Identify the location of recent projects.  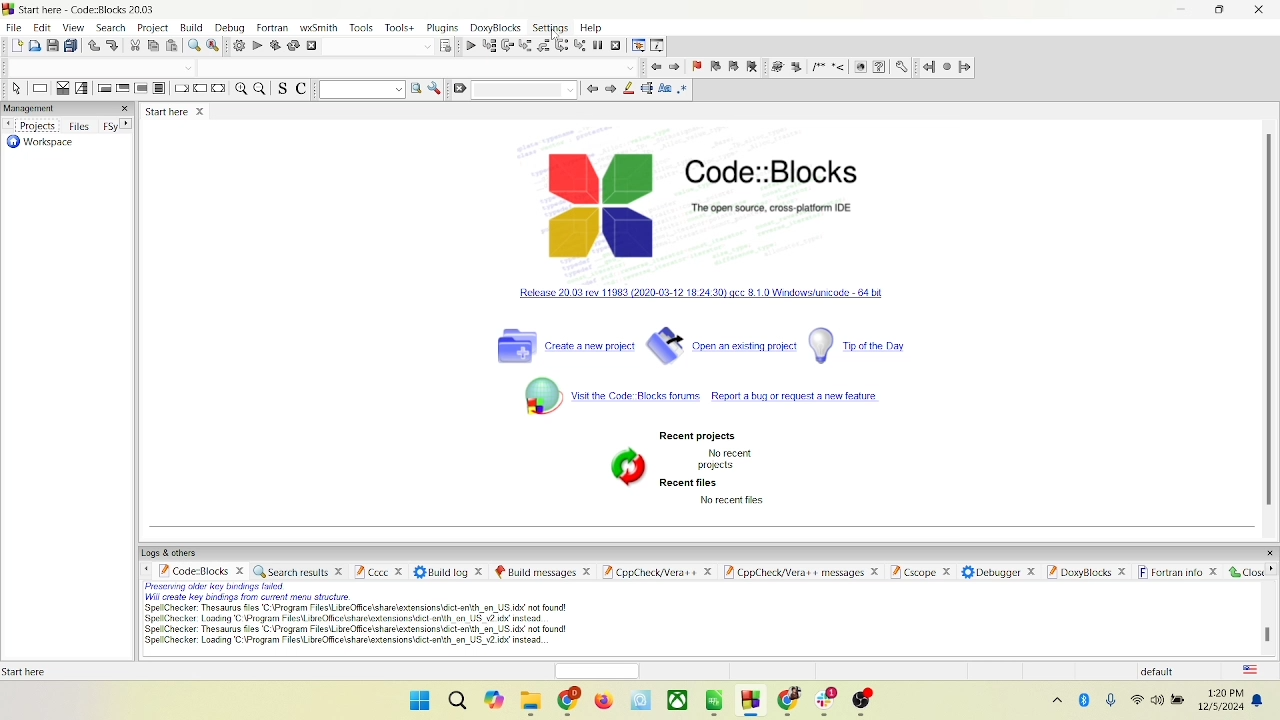
(696, 436).